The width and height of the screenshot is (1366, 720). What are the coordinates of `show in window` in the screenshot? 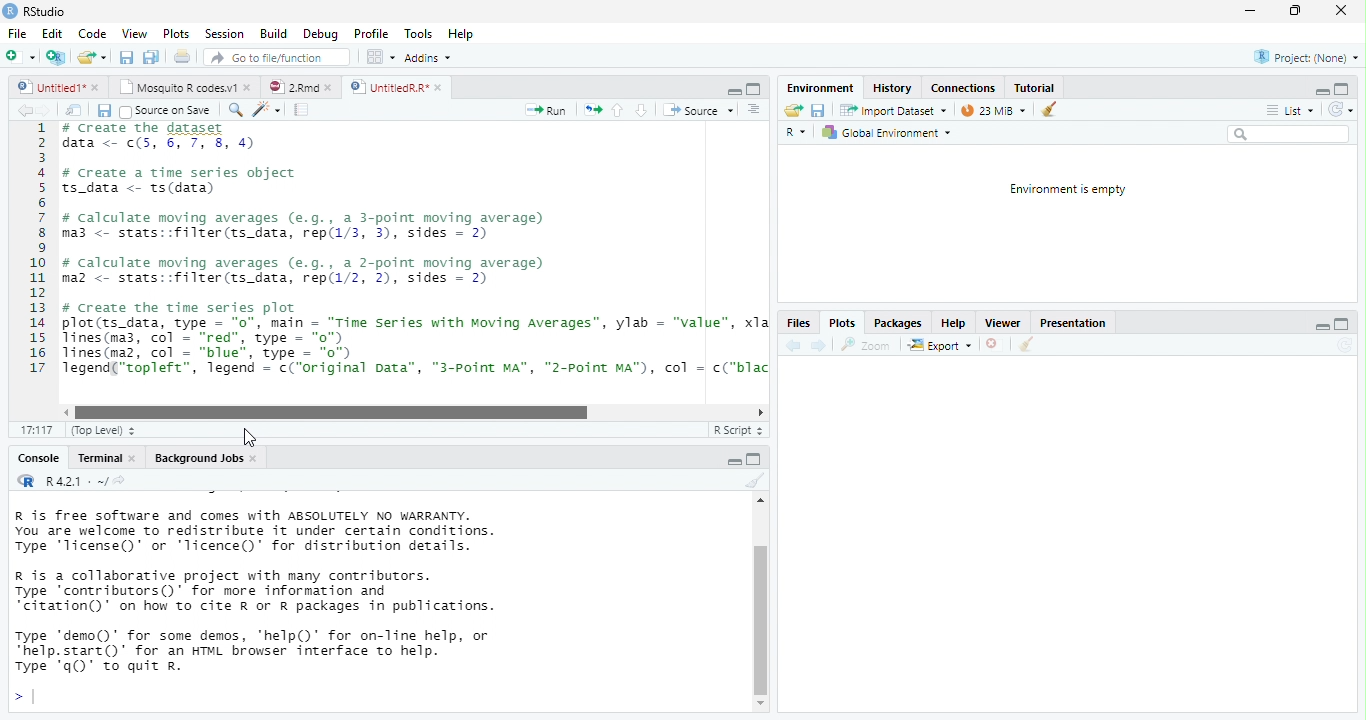 It's located at (75, 110).